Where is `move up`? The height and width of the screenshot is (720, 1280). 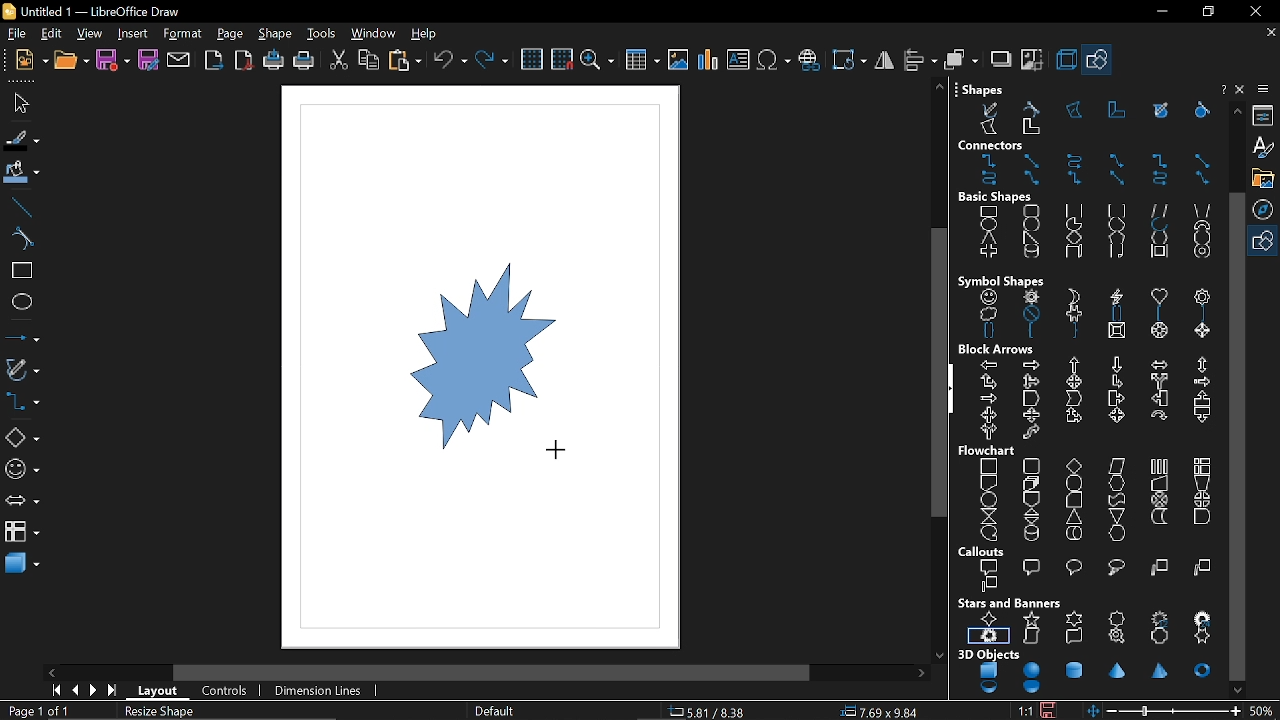 move up is located at coordinates (1234, 111).